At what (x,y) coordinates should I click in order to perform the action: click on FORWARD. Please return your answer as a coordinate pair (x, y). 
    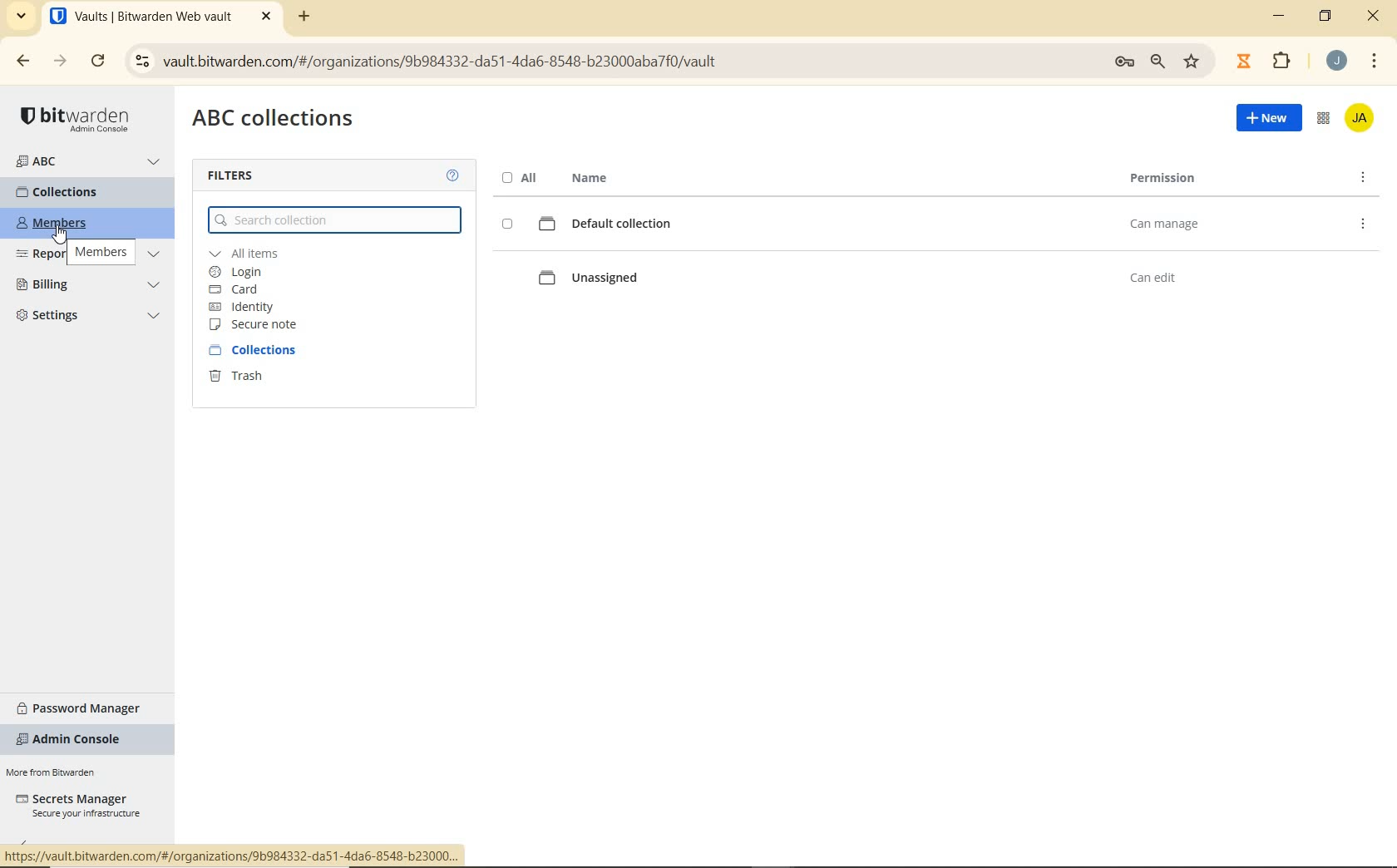
    Looking at the image, I should click on (57, 62).